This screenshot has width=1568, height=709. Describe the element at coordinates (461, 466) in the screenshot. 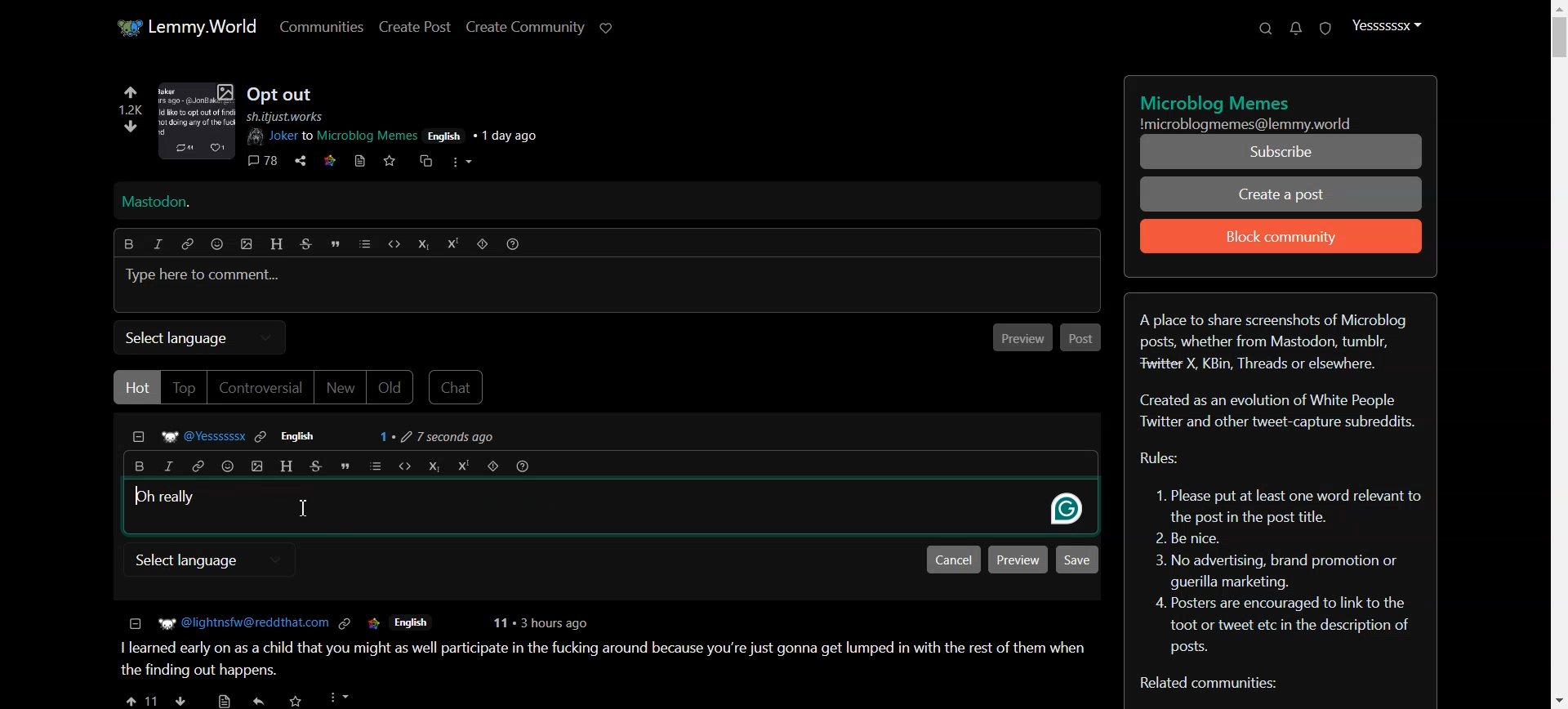

I see `Superscript` at that location.